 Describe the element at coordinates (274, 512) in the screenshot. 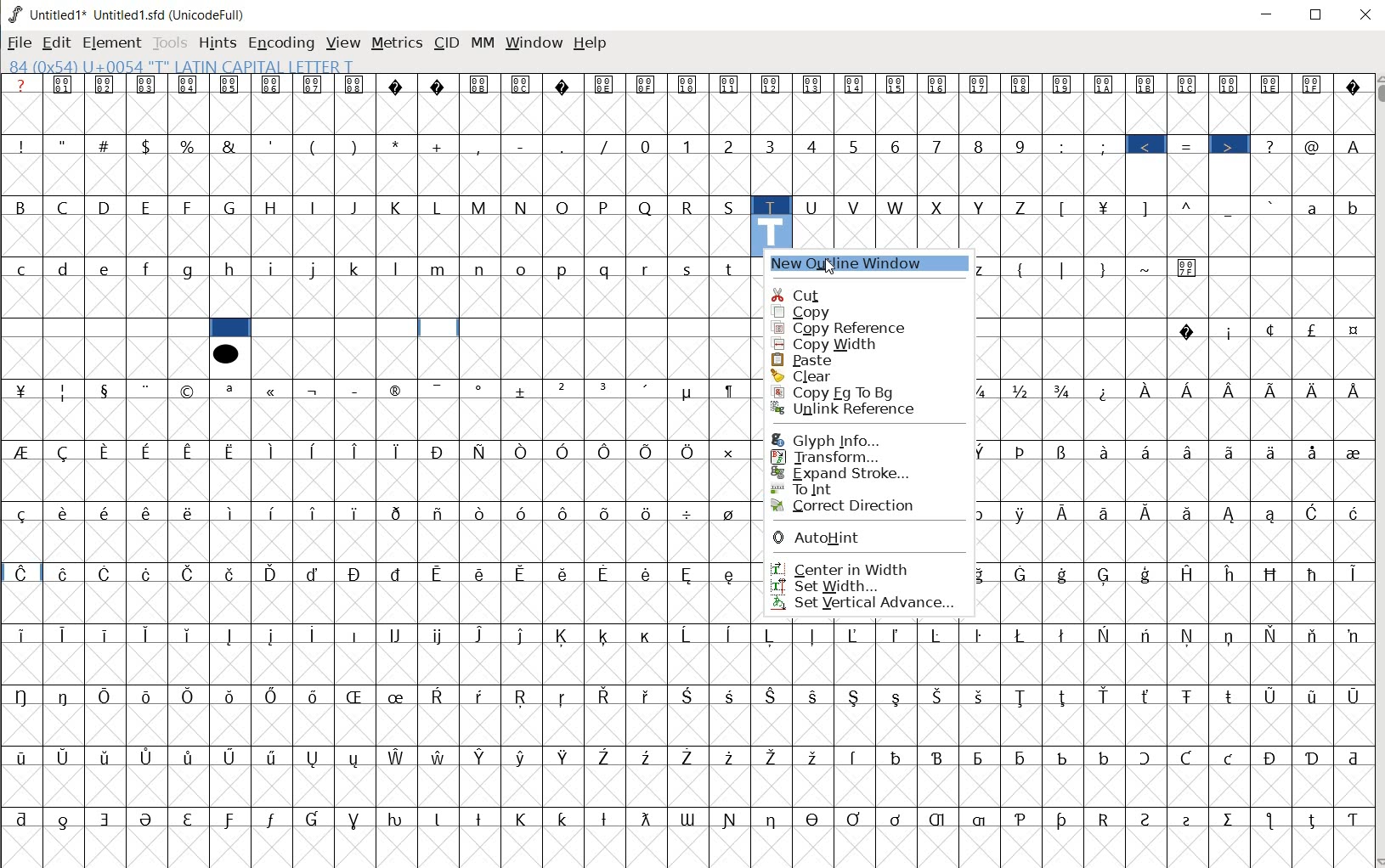

I see `Symbol` at that location.